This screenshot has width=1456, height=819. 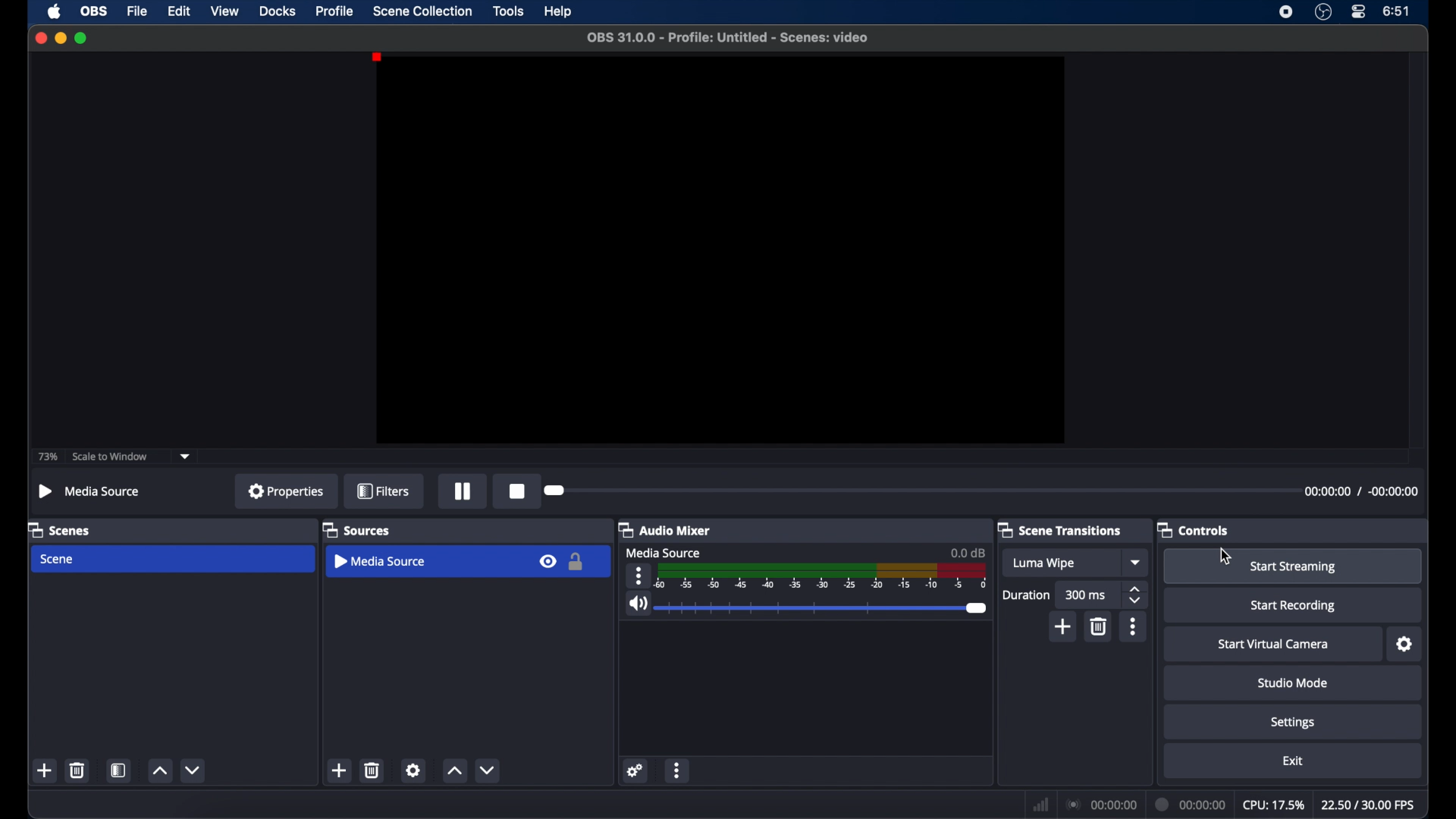 I want to click on increment, so click(x=454, y=772).